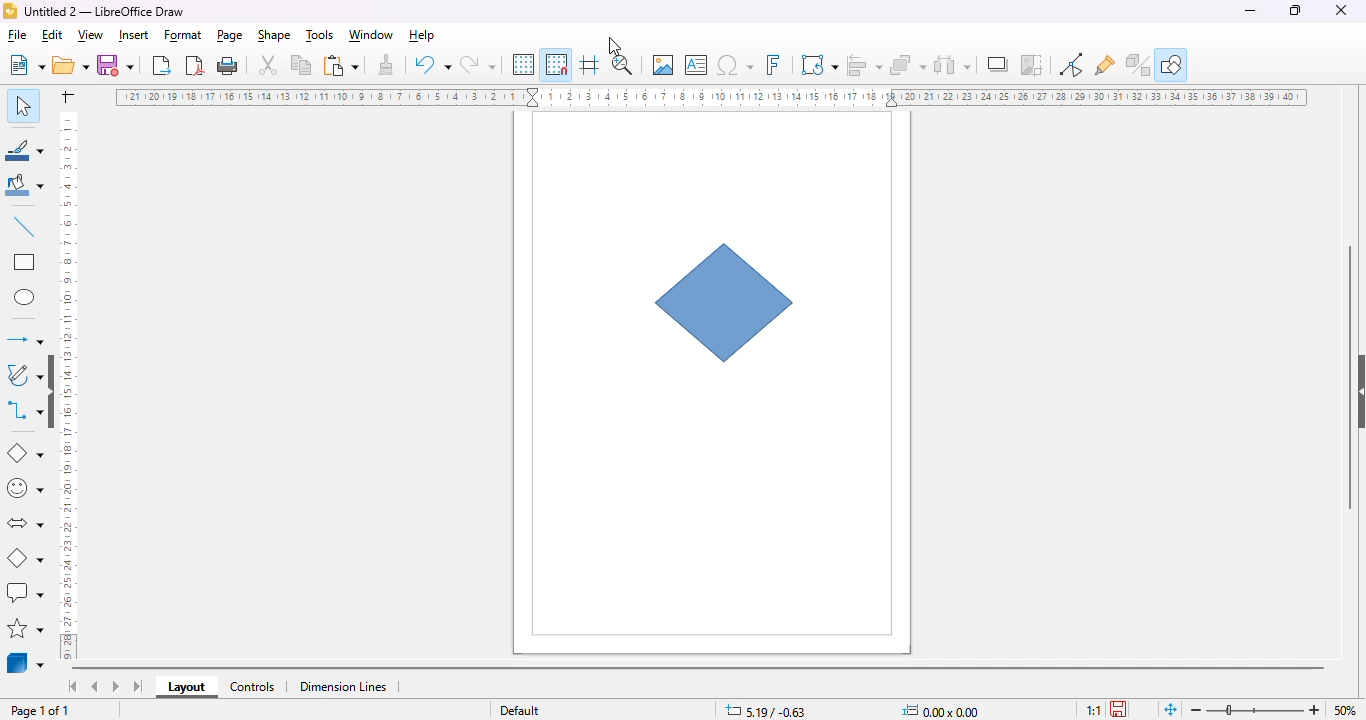 The width and height of the screenshot is (1366, 720). Describe the element at coordinates (557, 64) in the screenshot. I see `snap to grid` at that location.